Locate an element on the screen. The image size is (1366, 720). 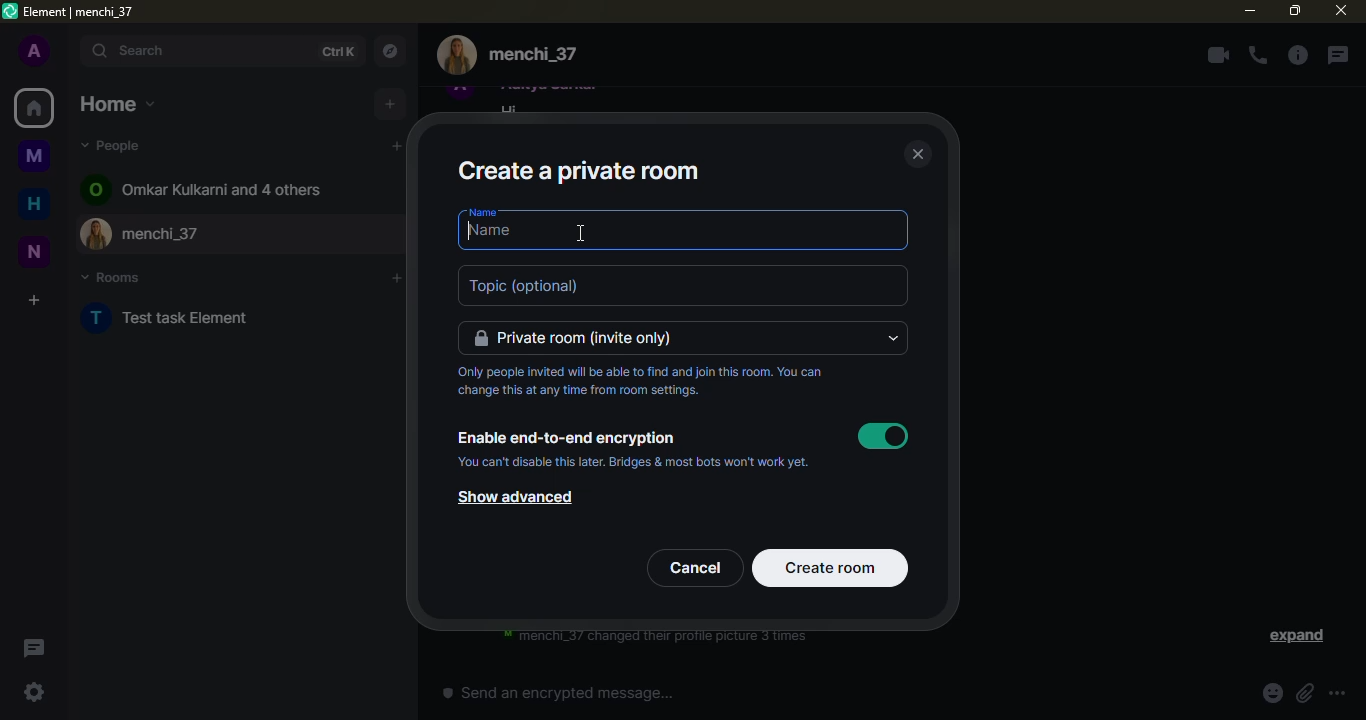
show advanced is located at coordinates (515, 497).